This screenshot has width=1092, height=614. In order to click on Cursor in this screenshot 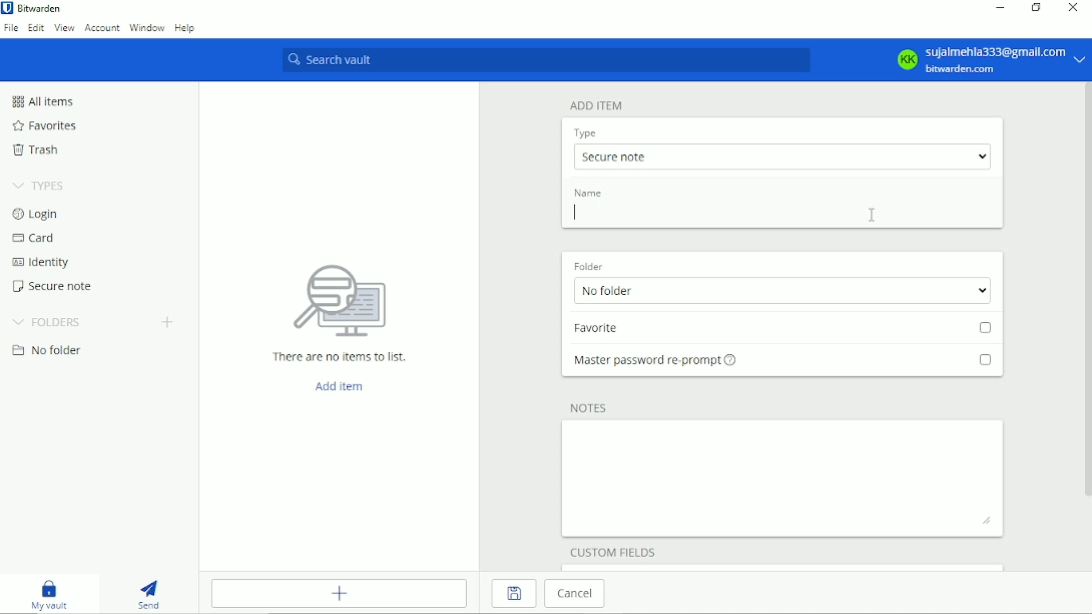, I will do `click(573, 213)`.